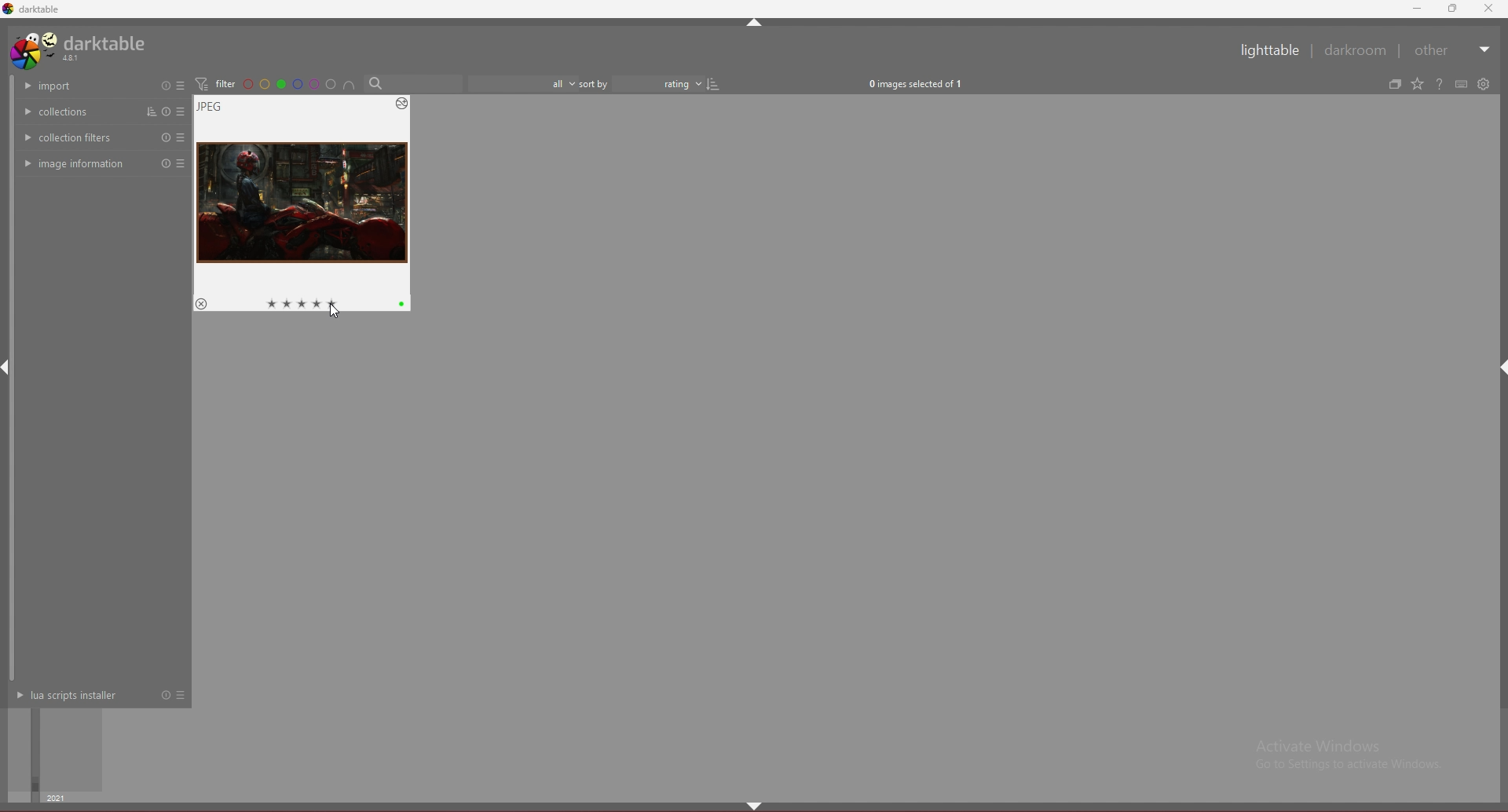  I want to click on Search bar, so click(413, 84).